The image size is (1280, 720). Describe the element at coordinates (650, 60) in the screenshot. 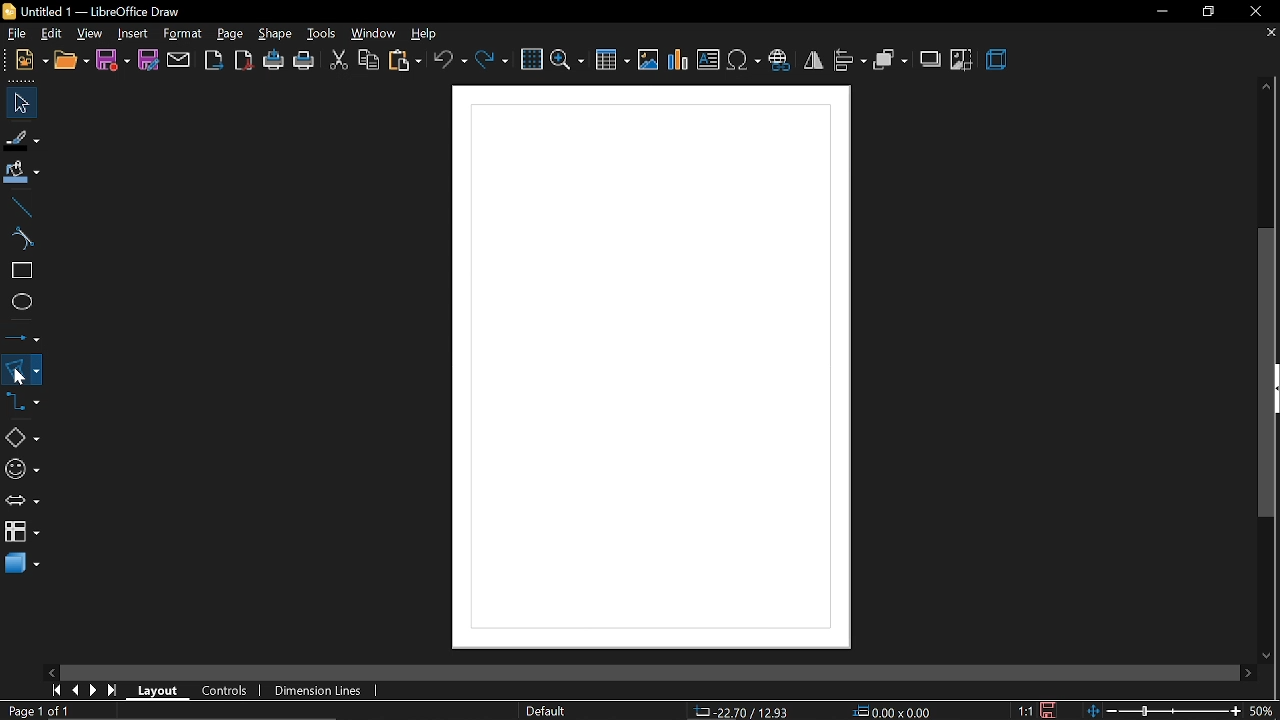

I see `insert image` at that location.